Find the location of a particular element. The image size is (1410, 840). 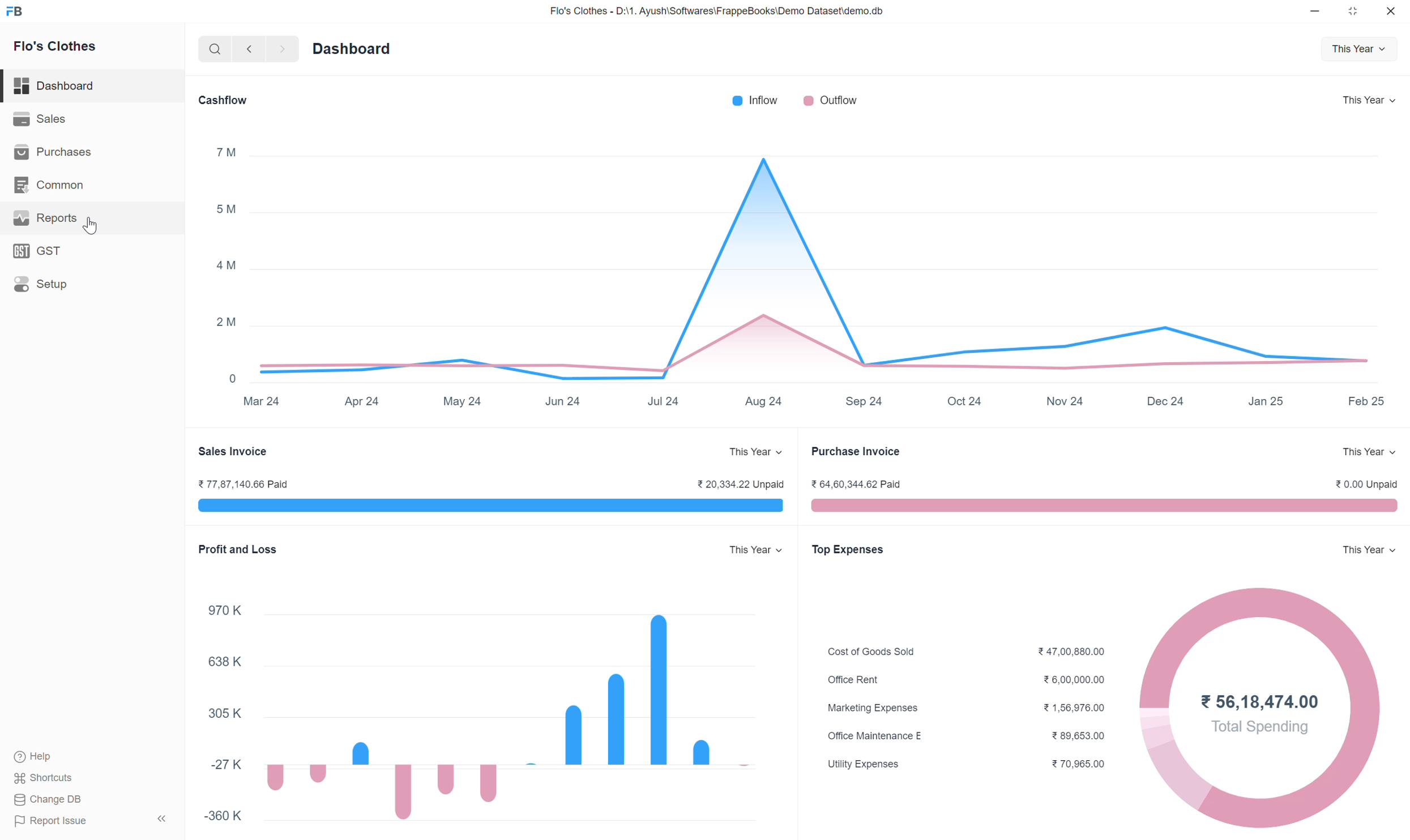

Change DB is located at coordinates (80, 802).